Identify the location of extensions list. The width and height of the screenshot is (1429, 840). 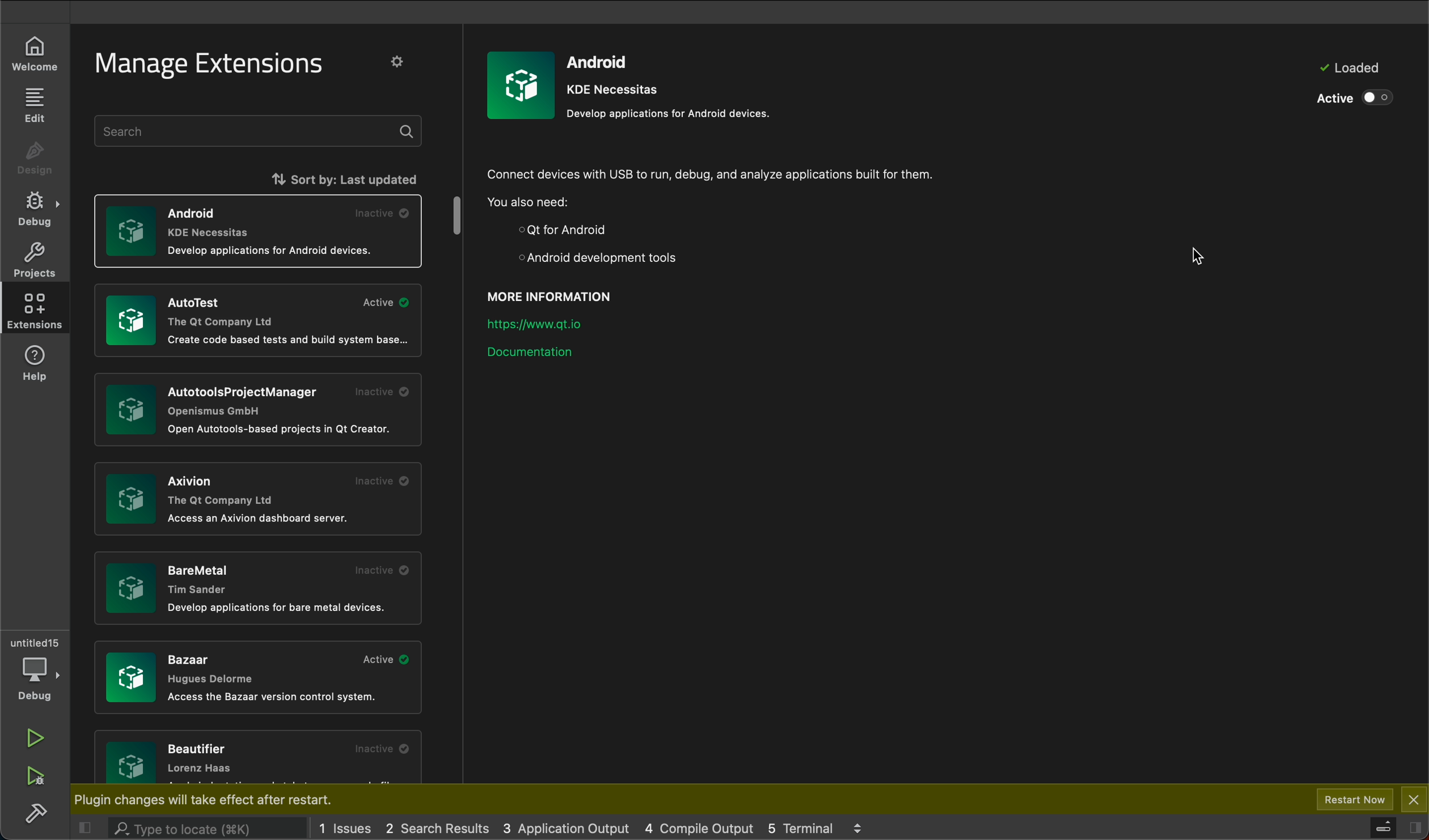
(259, 502).